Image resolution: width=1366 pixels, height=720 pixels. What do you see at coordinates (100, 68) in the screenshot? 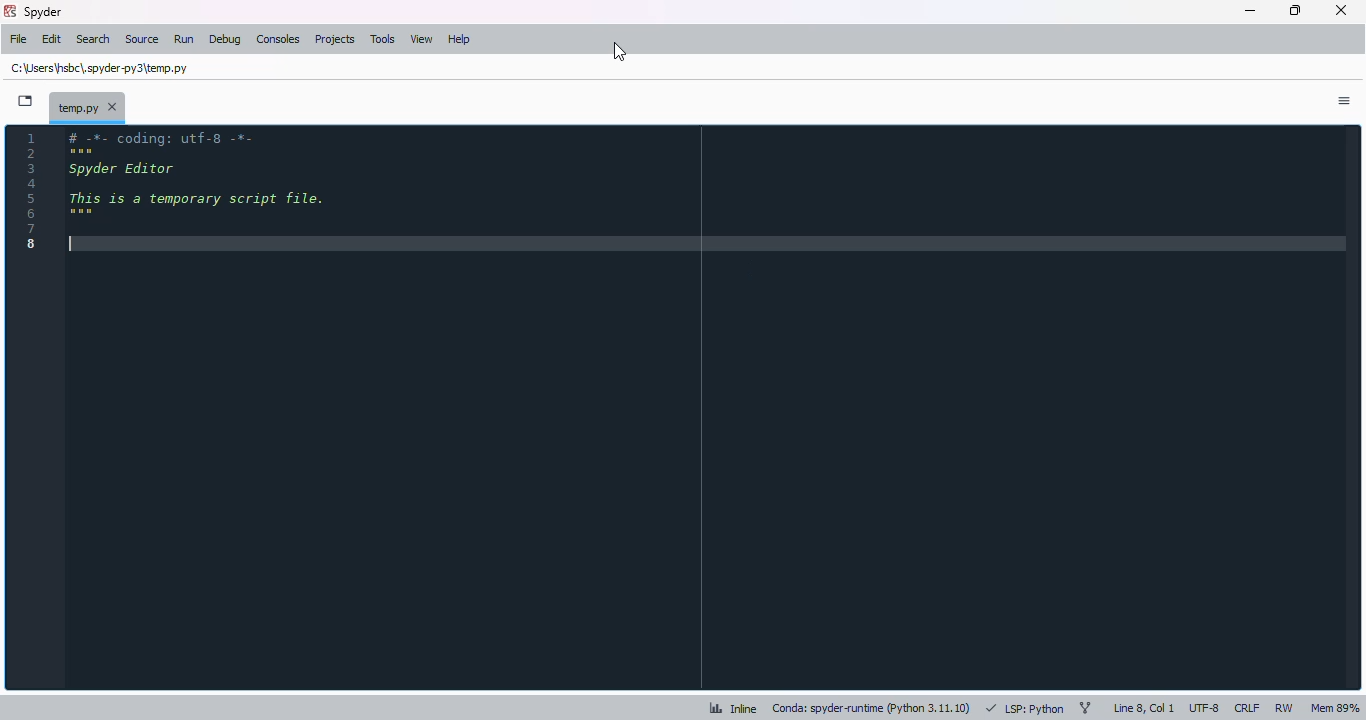
I see `temporary file` at bounding box center [100, 68].